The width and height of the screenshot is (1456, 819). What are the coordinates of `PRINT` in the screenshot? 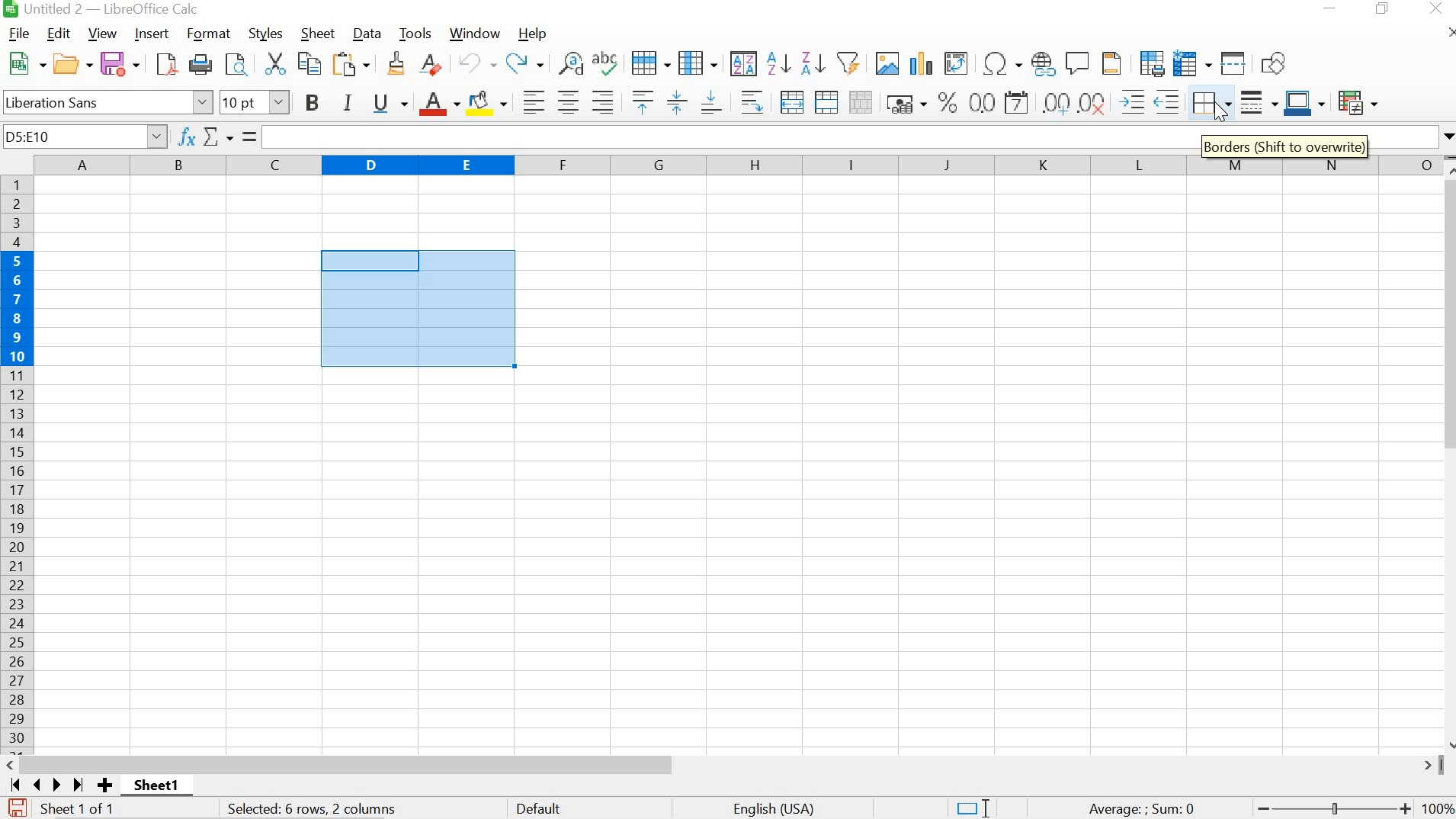 It's located at (202, 64).